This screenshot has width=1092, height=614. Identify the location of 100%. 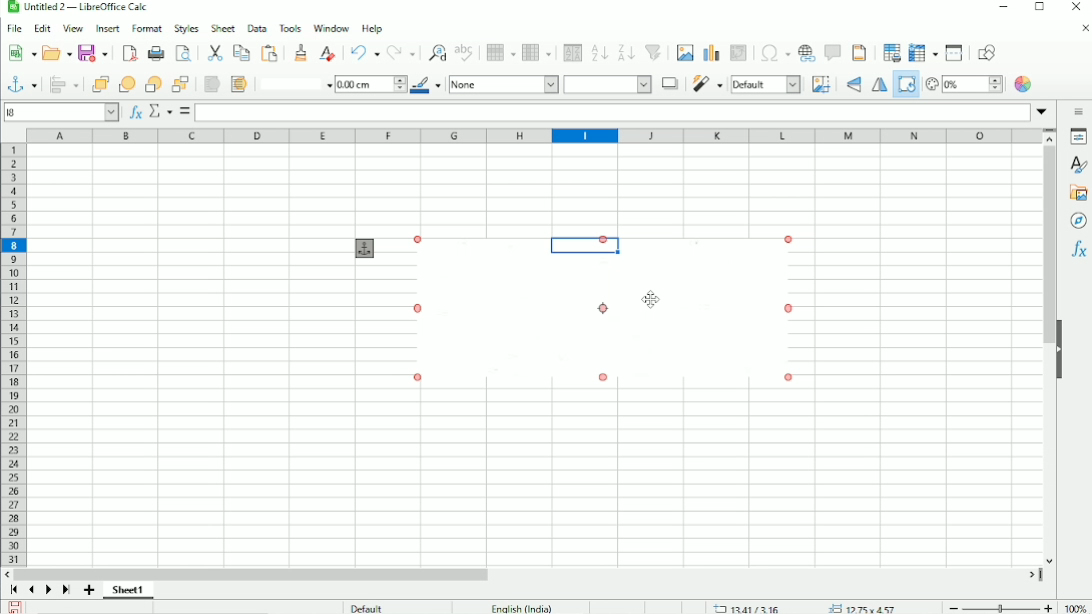
(1075, 605).